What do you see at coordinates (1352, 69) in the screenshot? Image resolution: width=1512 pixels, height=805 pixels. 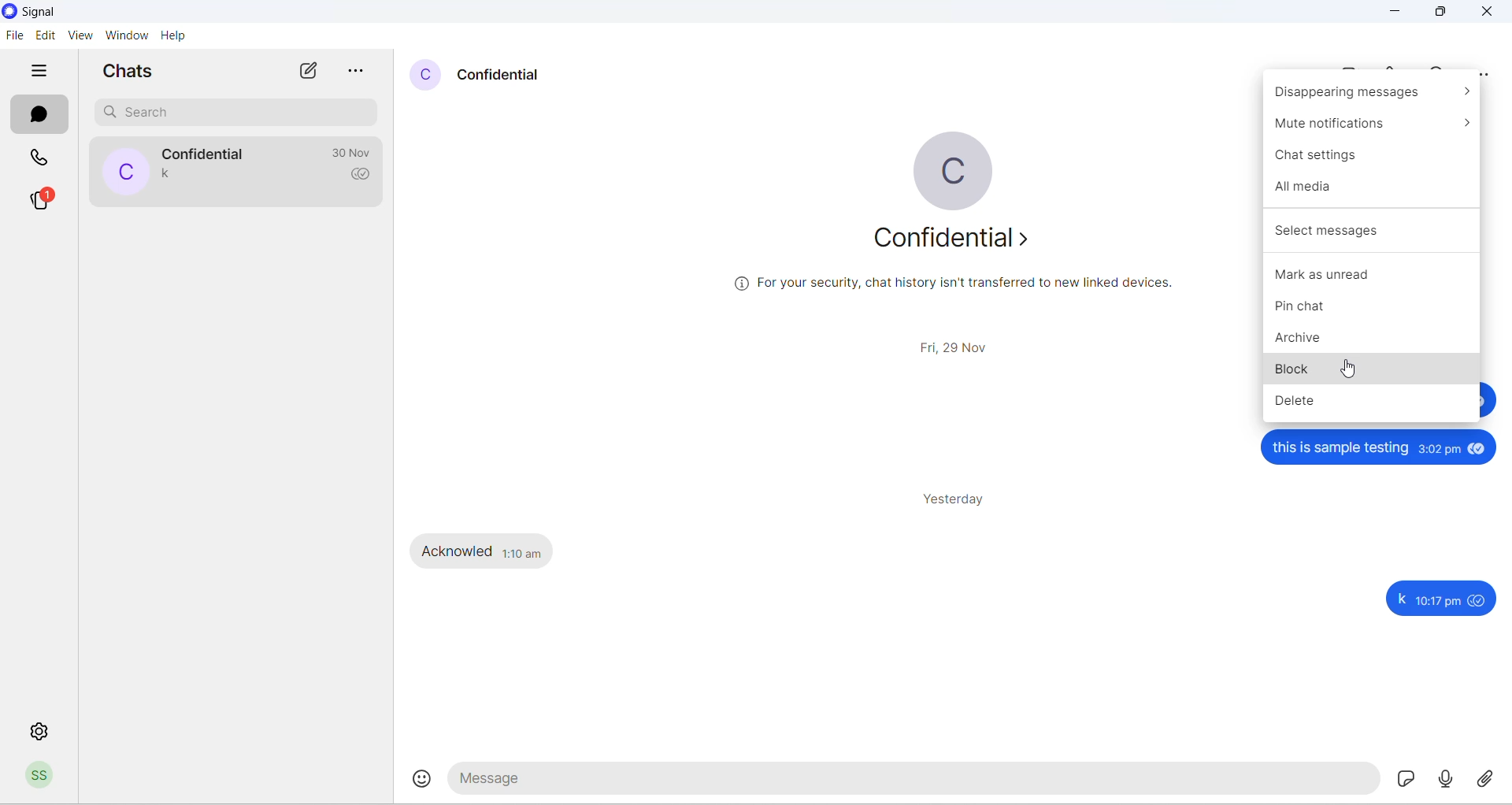 I see `video call` at bounding box center [1352, 69].